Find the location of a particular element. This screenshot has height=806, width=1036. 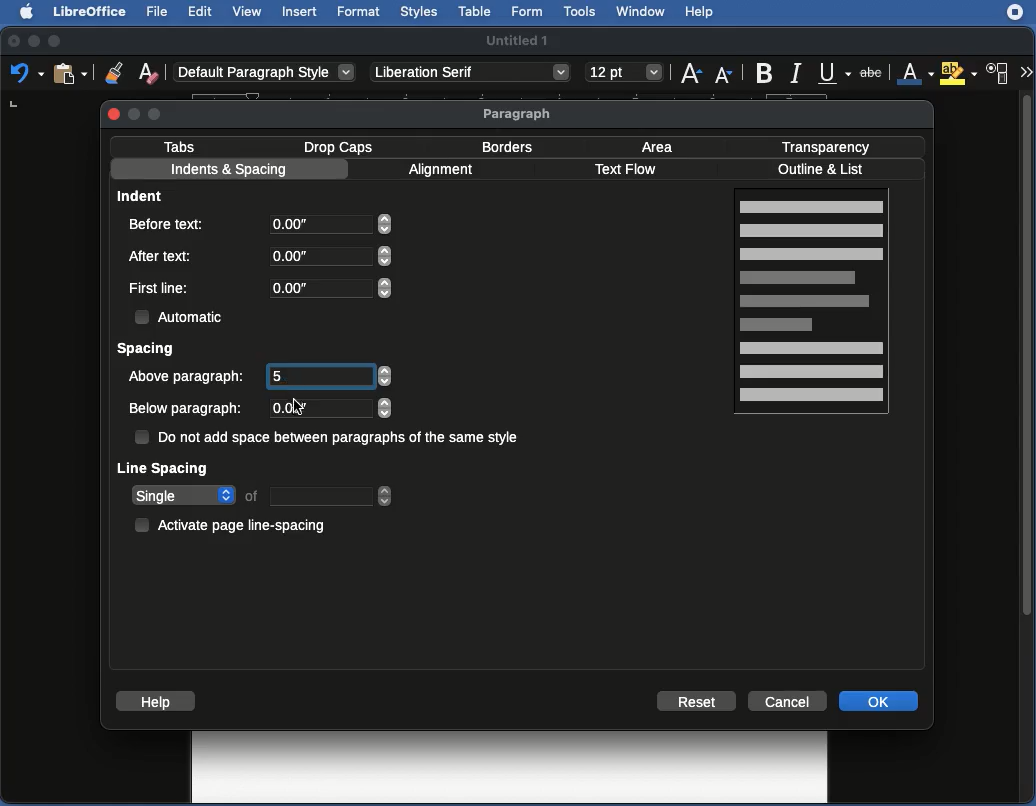

Bold is located at coordinates (763, 71).